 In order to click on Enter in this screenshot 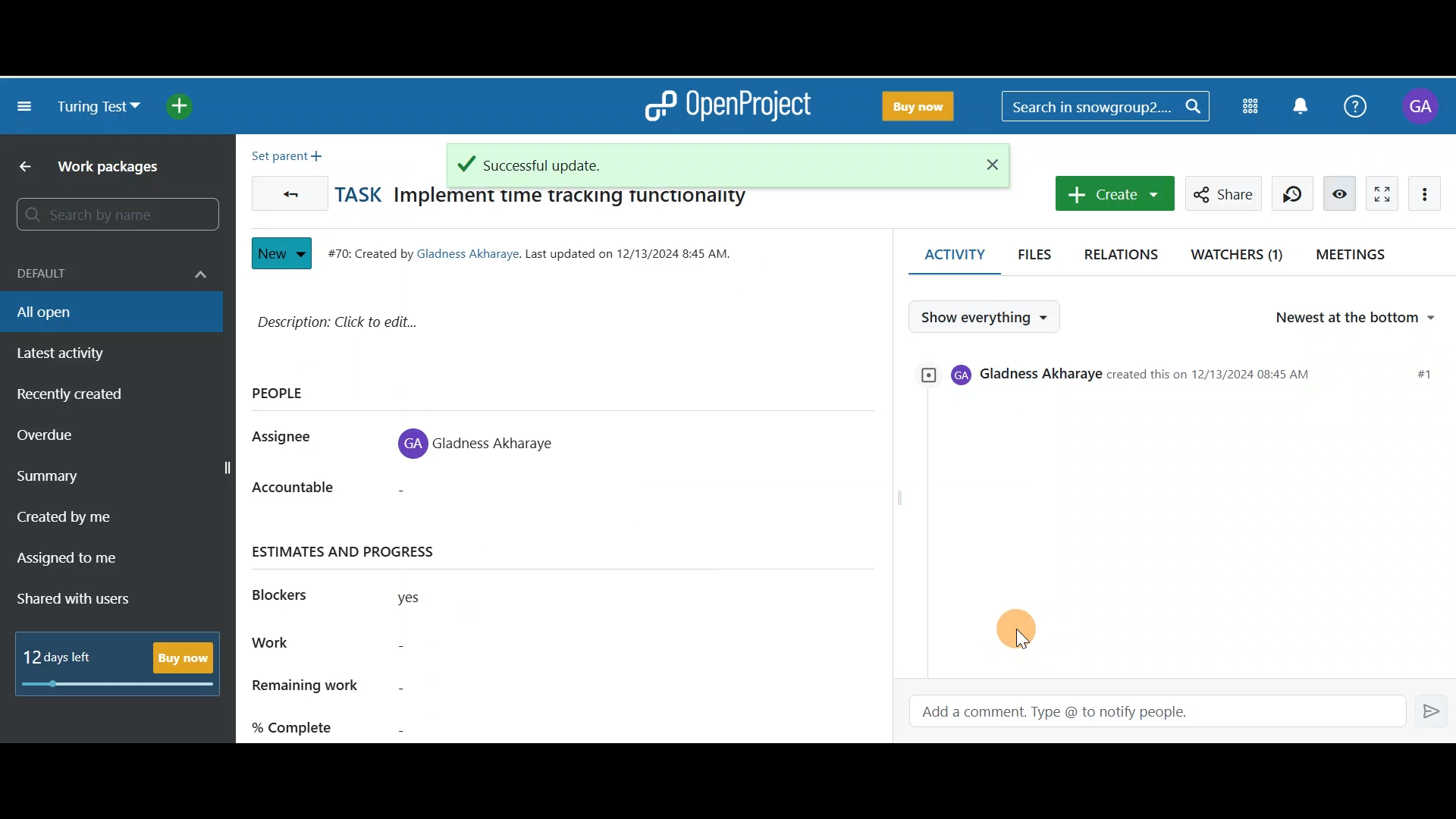, I will do `click(1433, 710)`.